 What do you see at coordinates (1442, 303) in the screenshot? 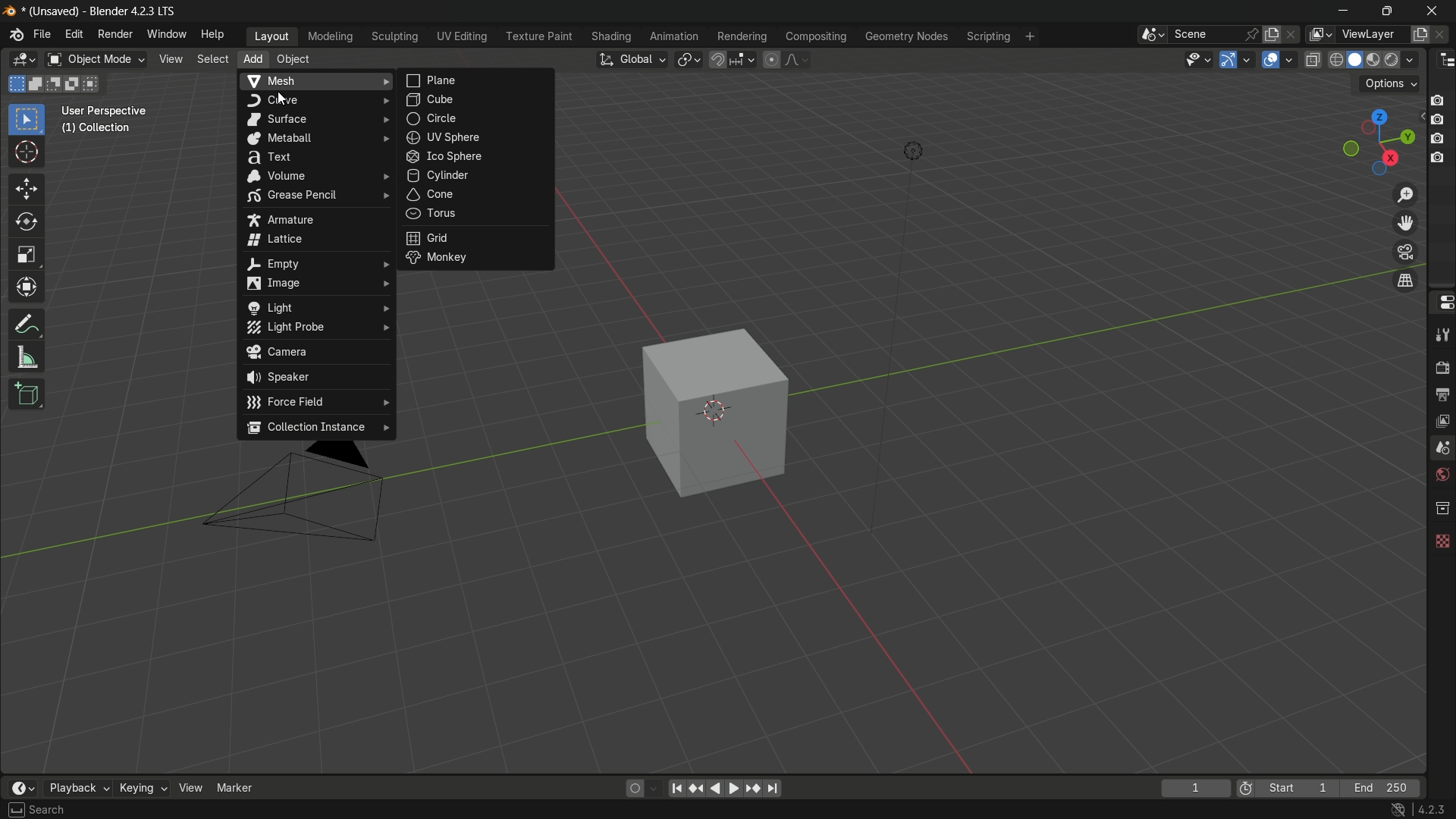
I see `properties` at bounding box center [1442, 303].